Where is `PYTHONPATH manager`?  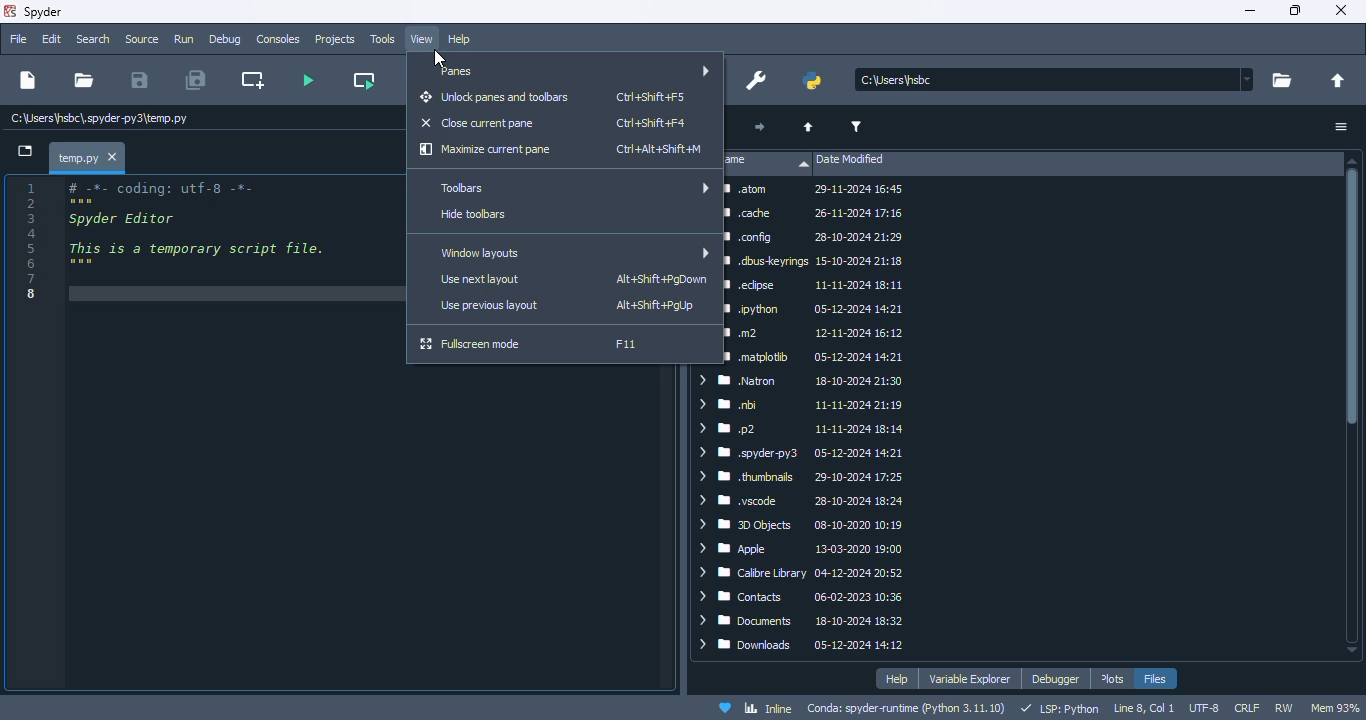 PYTHONPATH manager is located at coordinates (813, 80).